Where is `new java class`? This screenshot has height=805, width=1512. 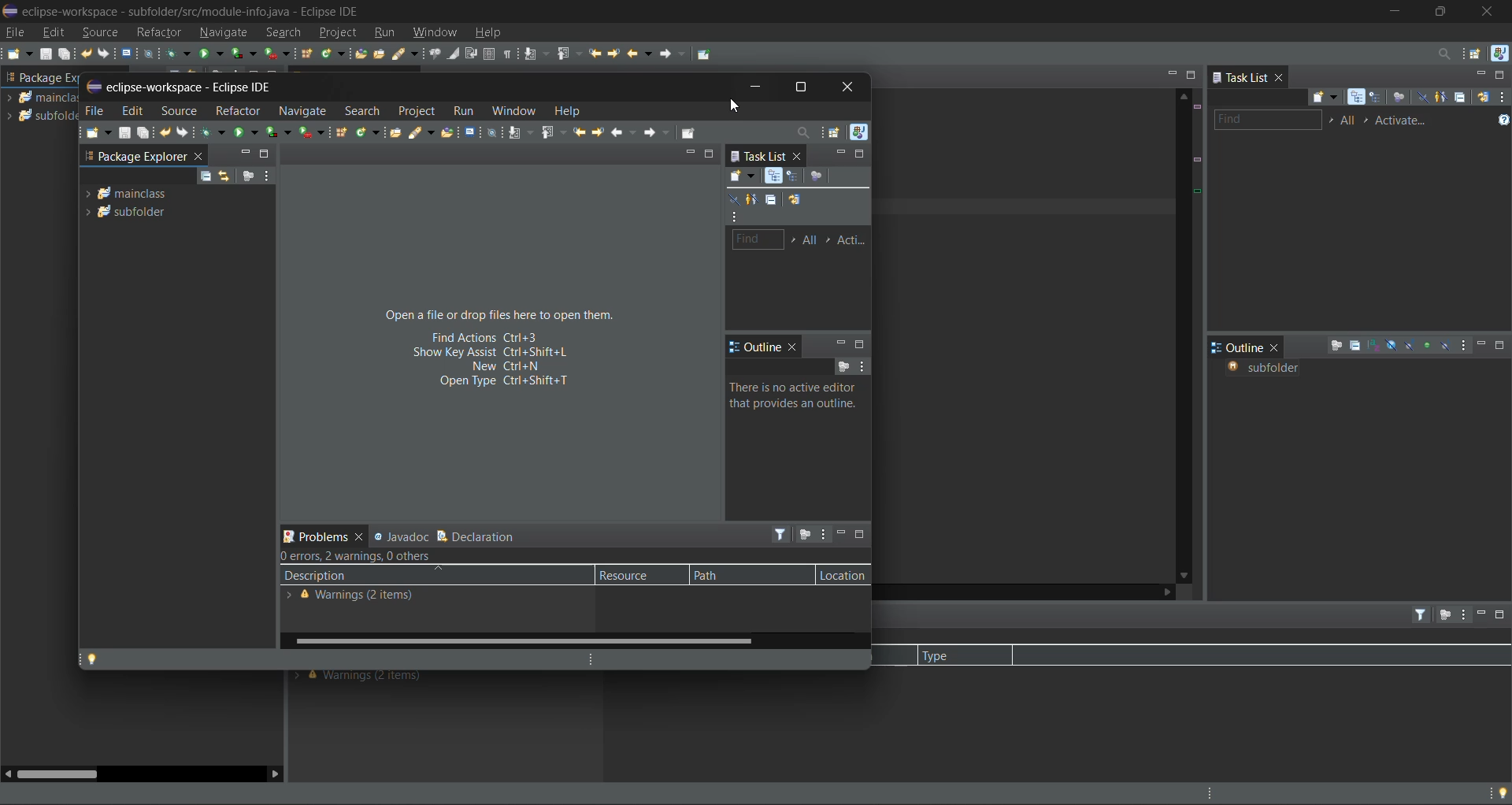 new java class is located at coordinates (335, 52).